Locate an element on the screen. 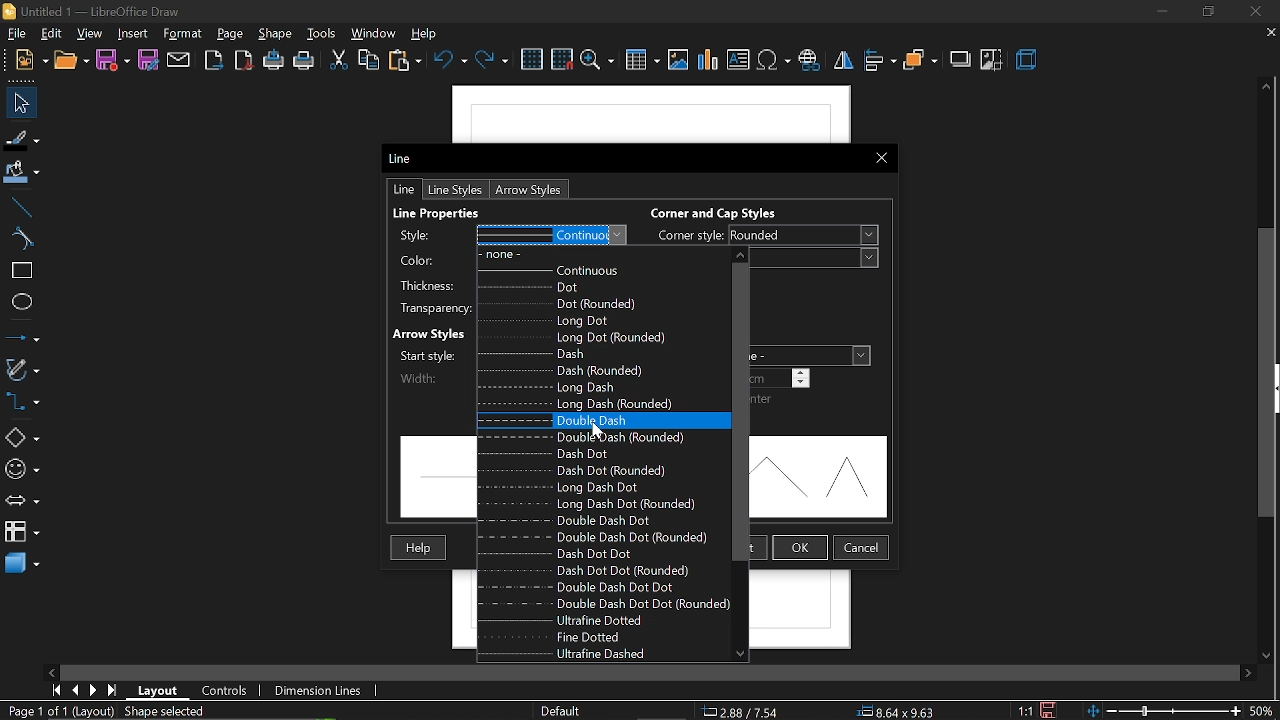 The width and height of the screenshot is (1280, 720). arrows is located at coordinates (22, 501).